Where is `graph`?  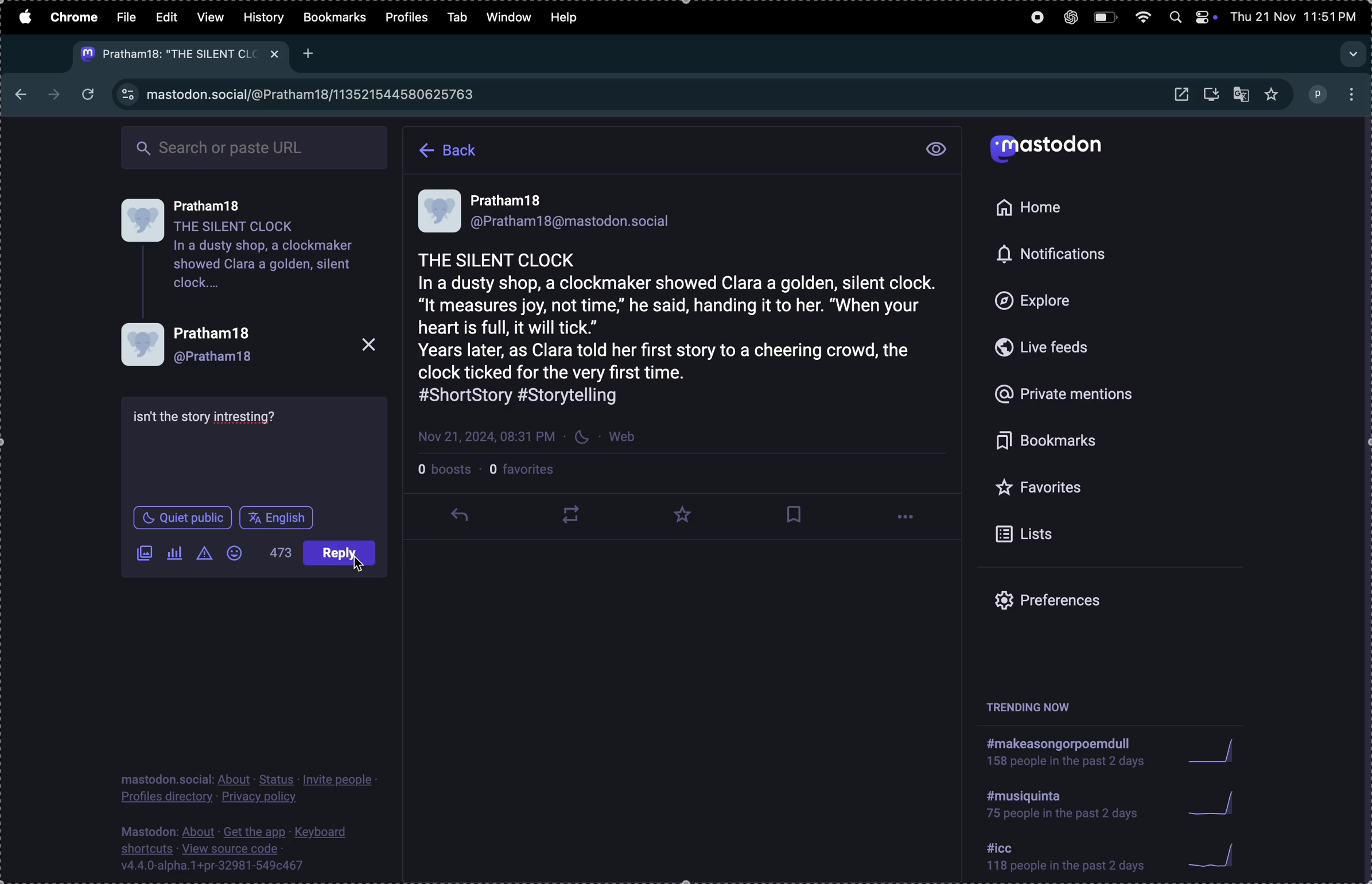
graph is located at coordinates (1217, 802).